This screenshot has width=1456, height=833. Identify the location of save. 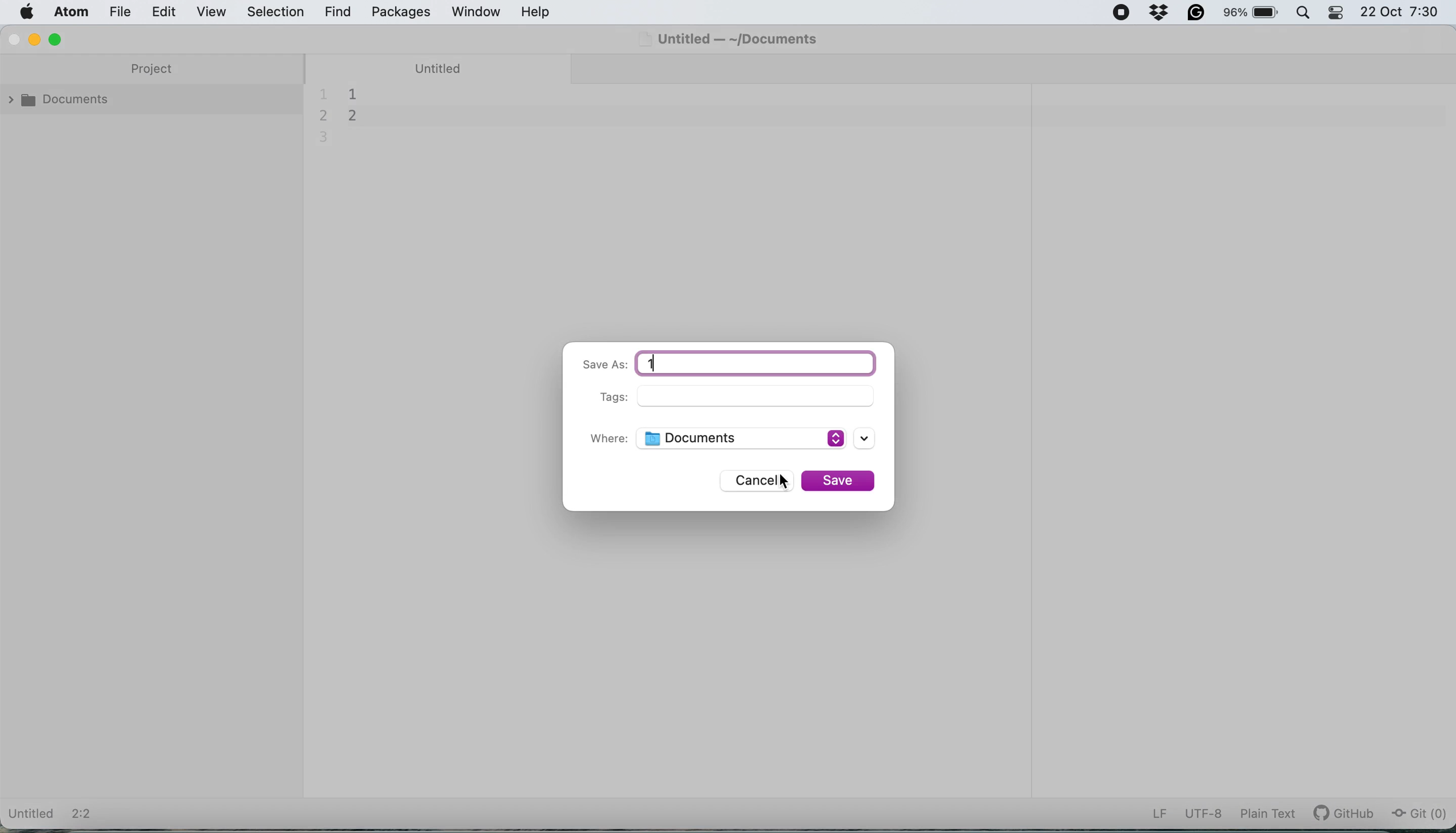
(840, 481).